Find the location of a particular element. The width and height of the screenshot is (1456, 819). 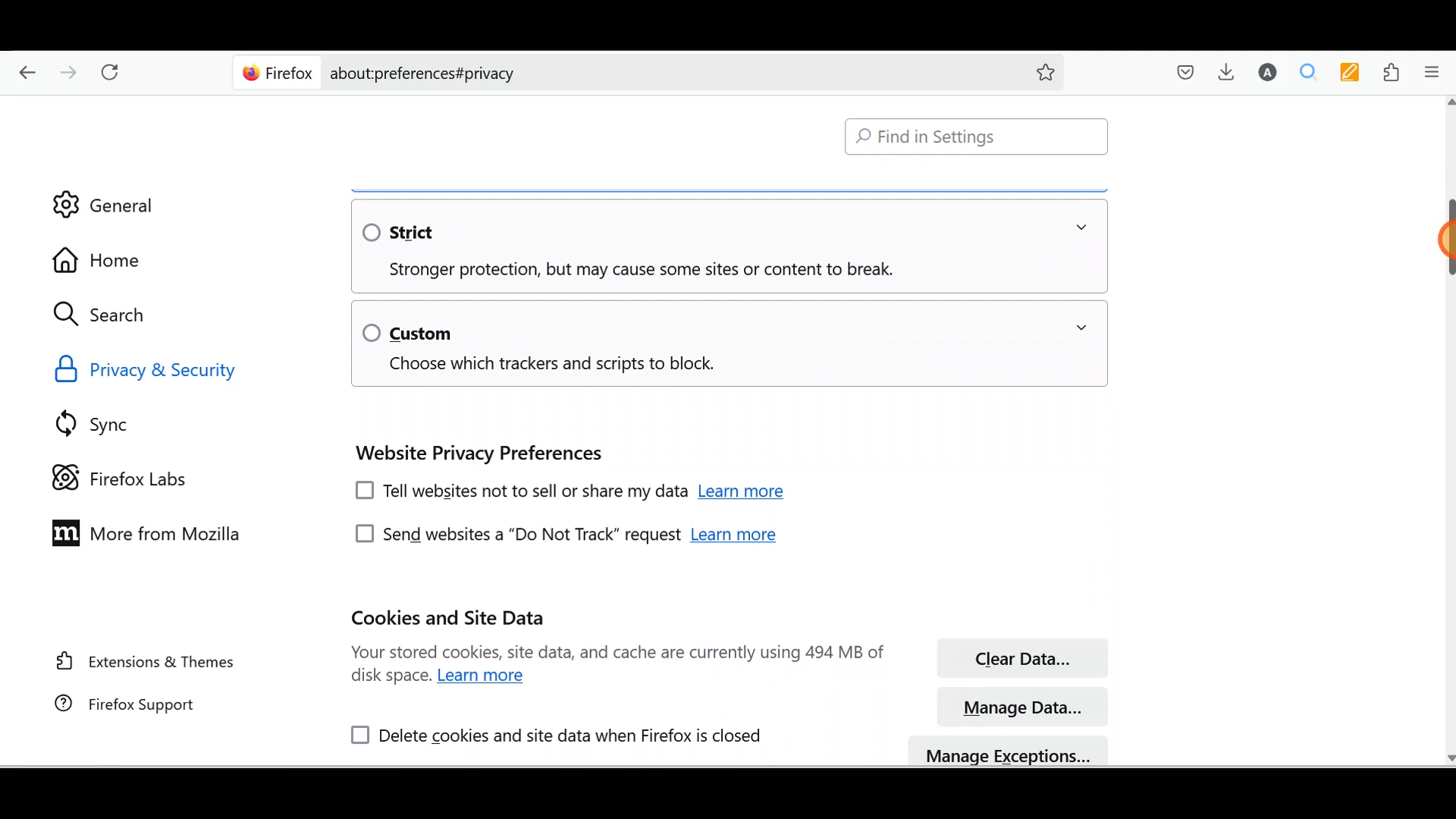

Find in Settings is located at coordinates (977, 137).